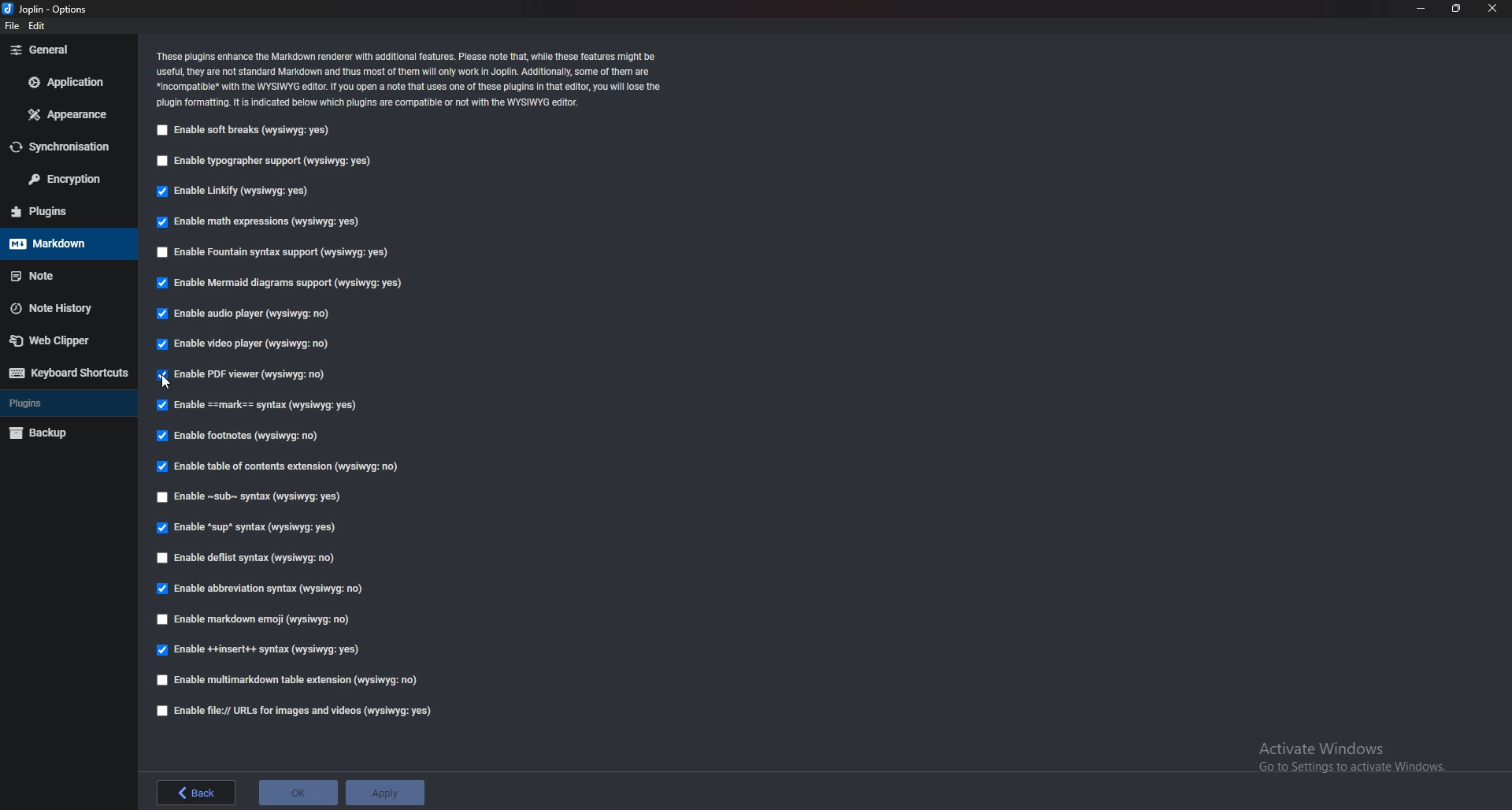 The width and height of the screenshot is (1512, 810). What do you see at coordinates (272, 251) in the screenshot?
I see `Enable fountain syntax support` at bounding box center [272, 251].